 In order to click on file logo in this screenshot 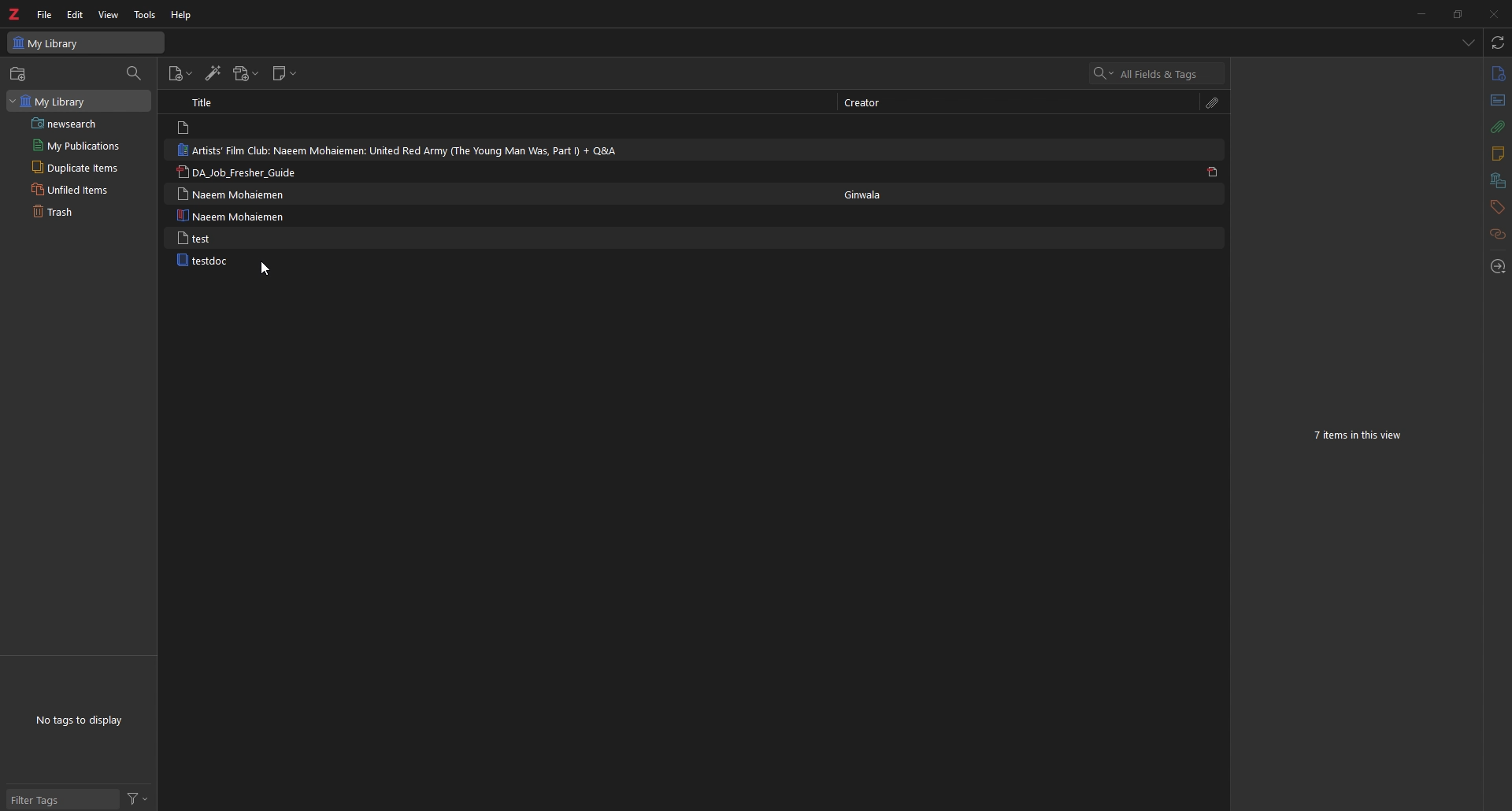, I will do `click(185, 128)`.